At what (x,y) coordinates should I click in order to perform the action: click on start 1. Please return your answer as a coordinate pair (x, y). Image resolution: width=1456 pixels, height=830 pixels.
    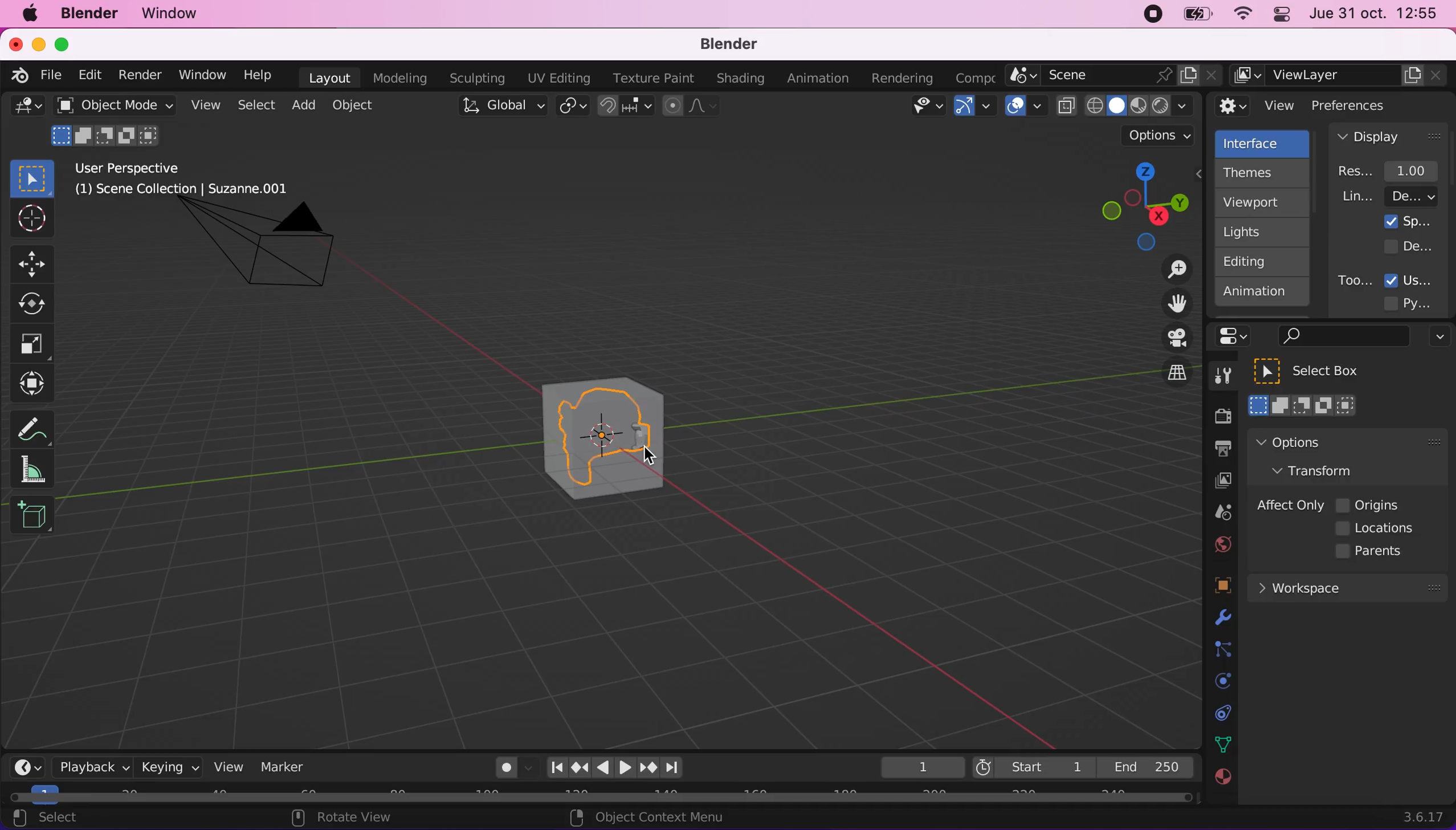
    Looking at the image, I should click on (1032, 767).